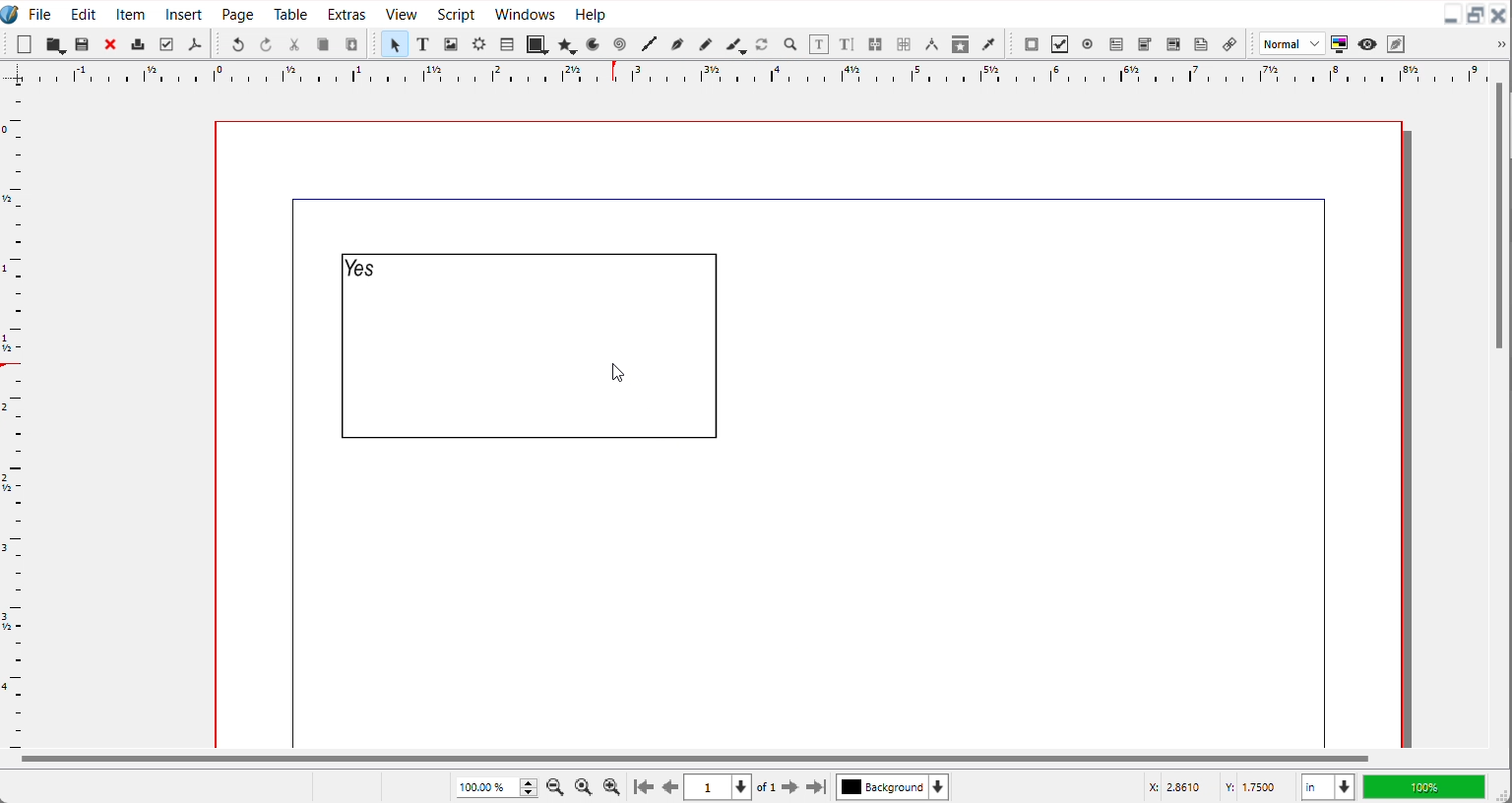  Describe the element at coordinates (1423, 786) in the screenshot. I see `100%` at that location.